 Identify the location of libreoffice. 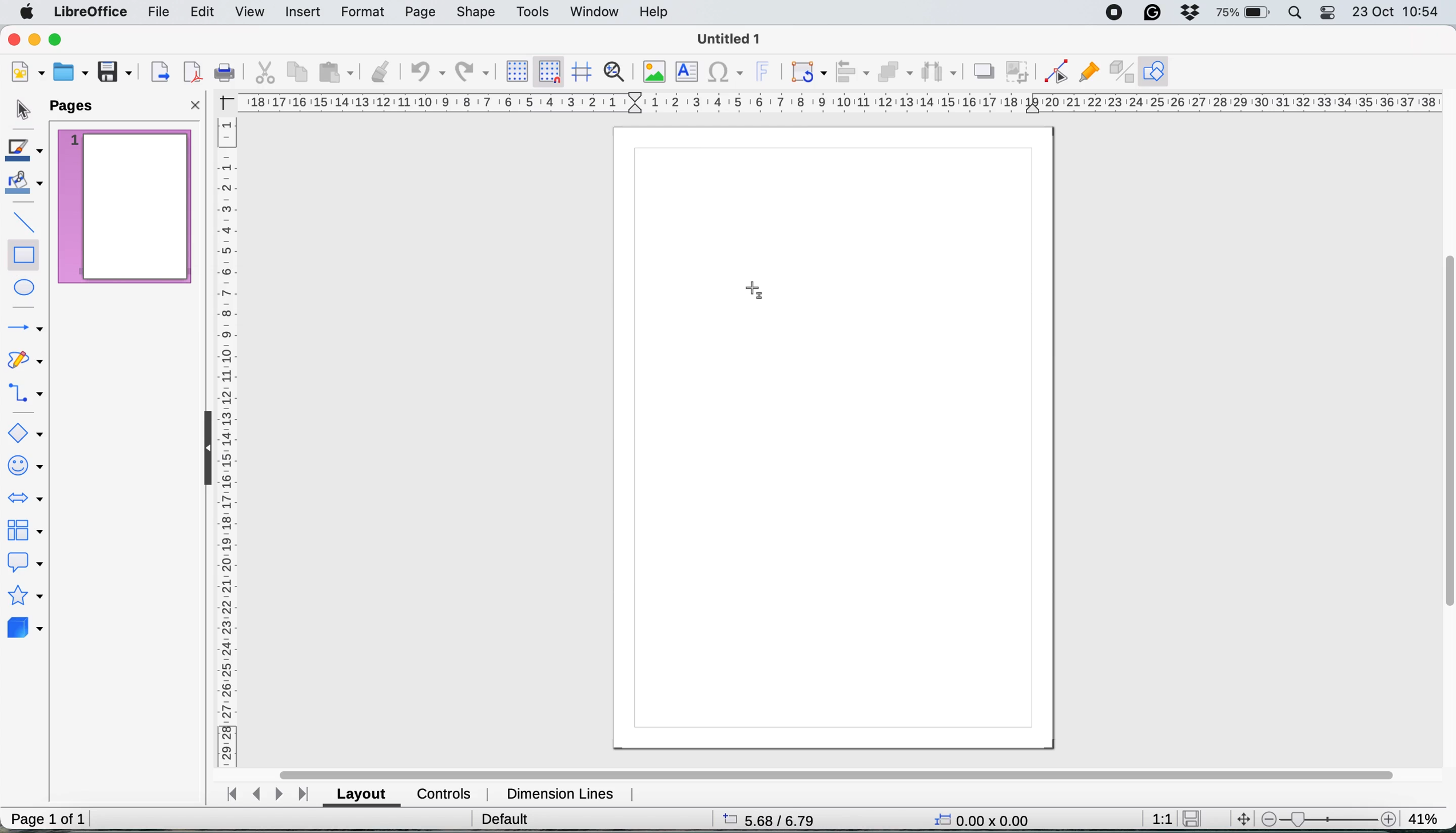
(87, 13).